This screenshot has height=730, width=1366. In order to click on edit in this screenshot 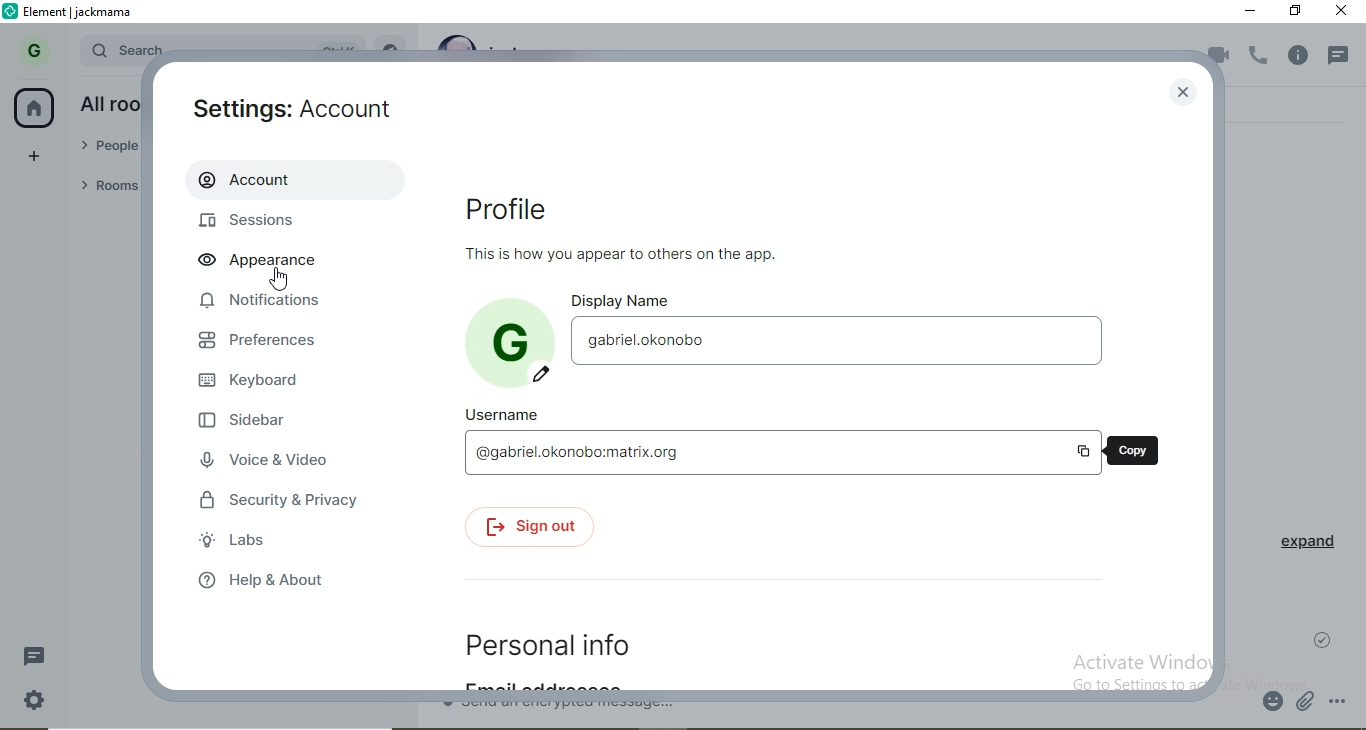, I will do `click(539, 375)`.